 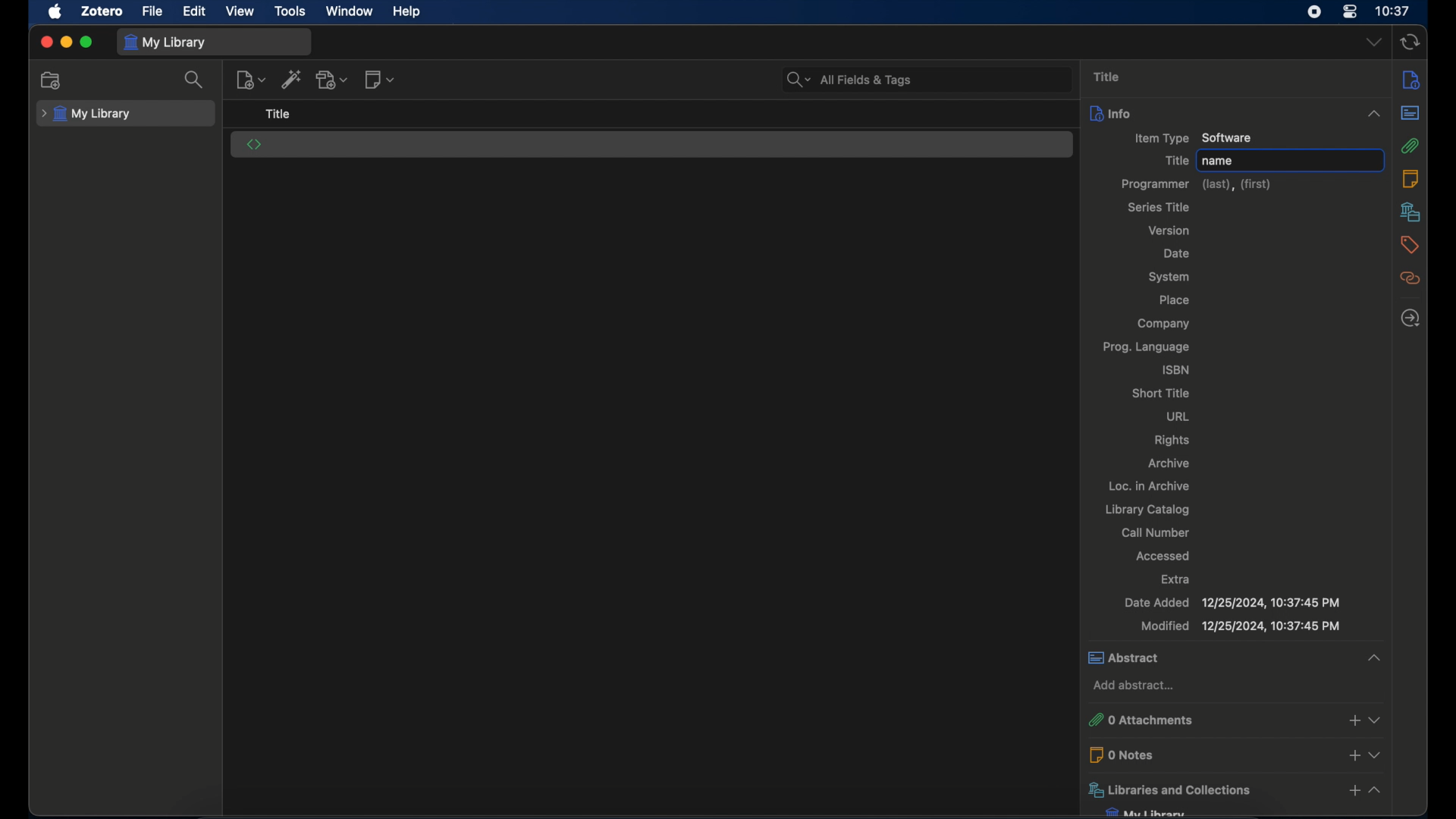 I want to click on 0 notes, so click(x=1212, y=754).